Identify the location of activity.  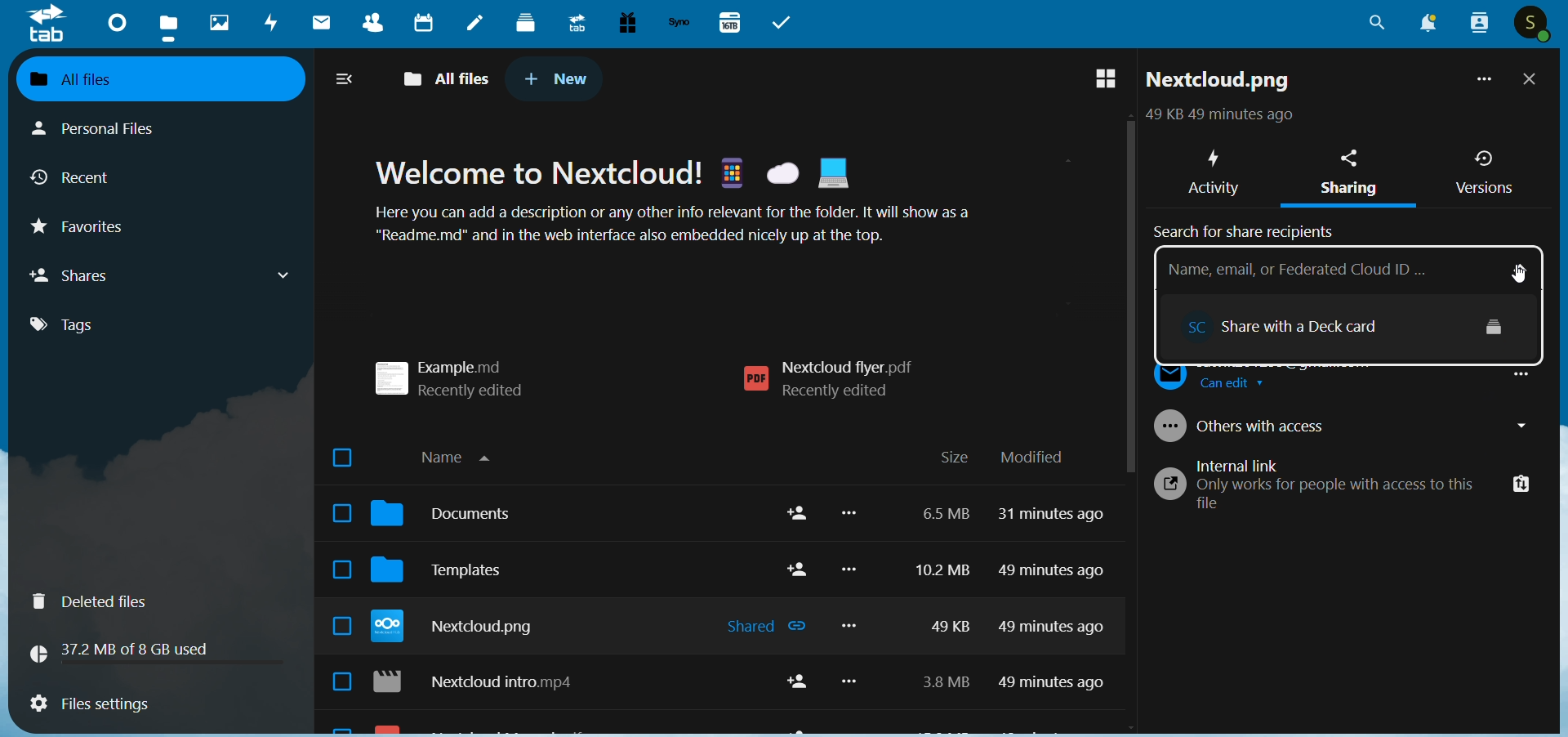
(1211, 168).